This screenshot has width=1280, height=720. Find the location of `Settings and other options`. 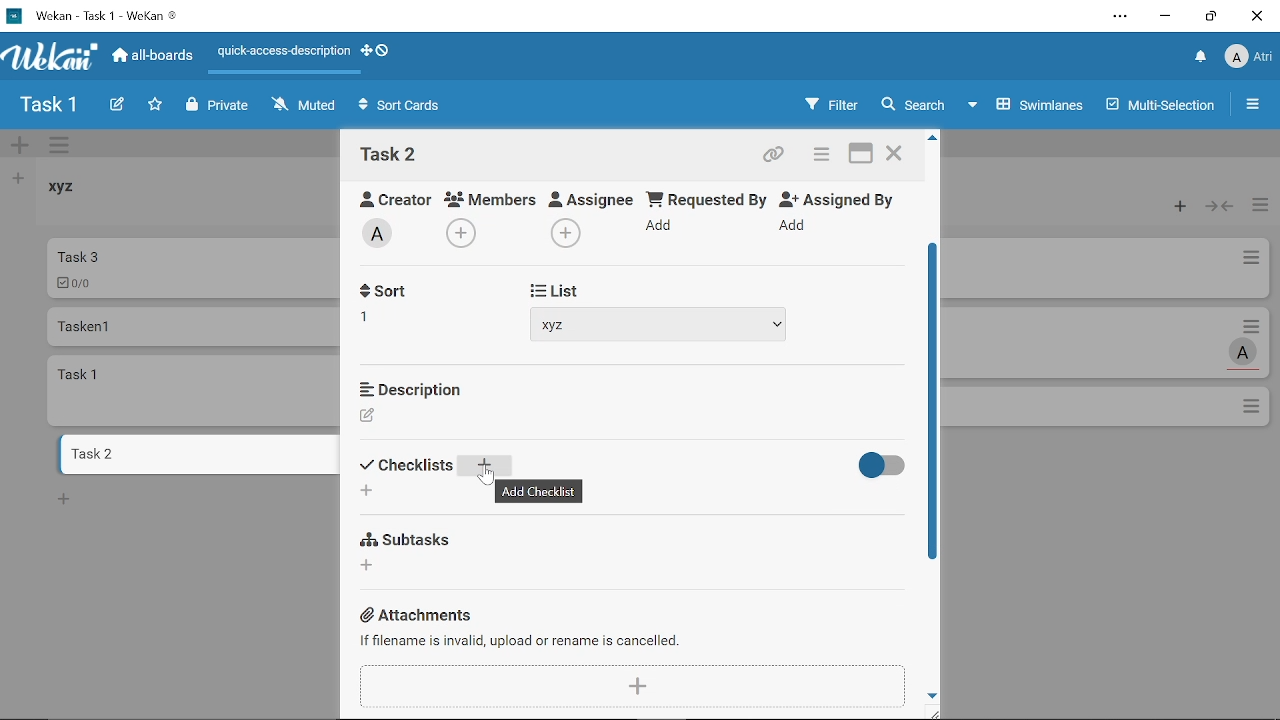

Settings and other options is located at coordinates (1122, 18).